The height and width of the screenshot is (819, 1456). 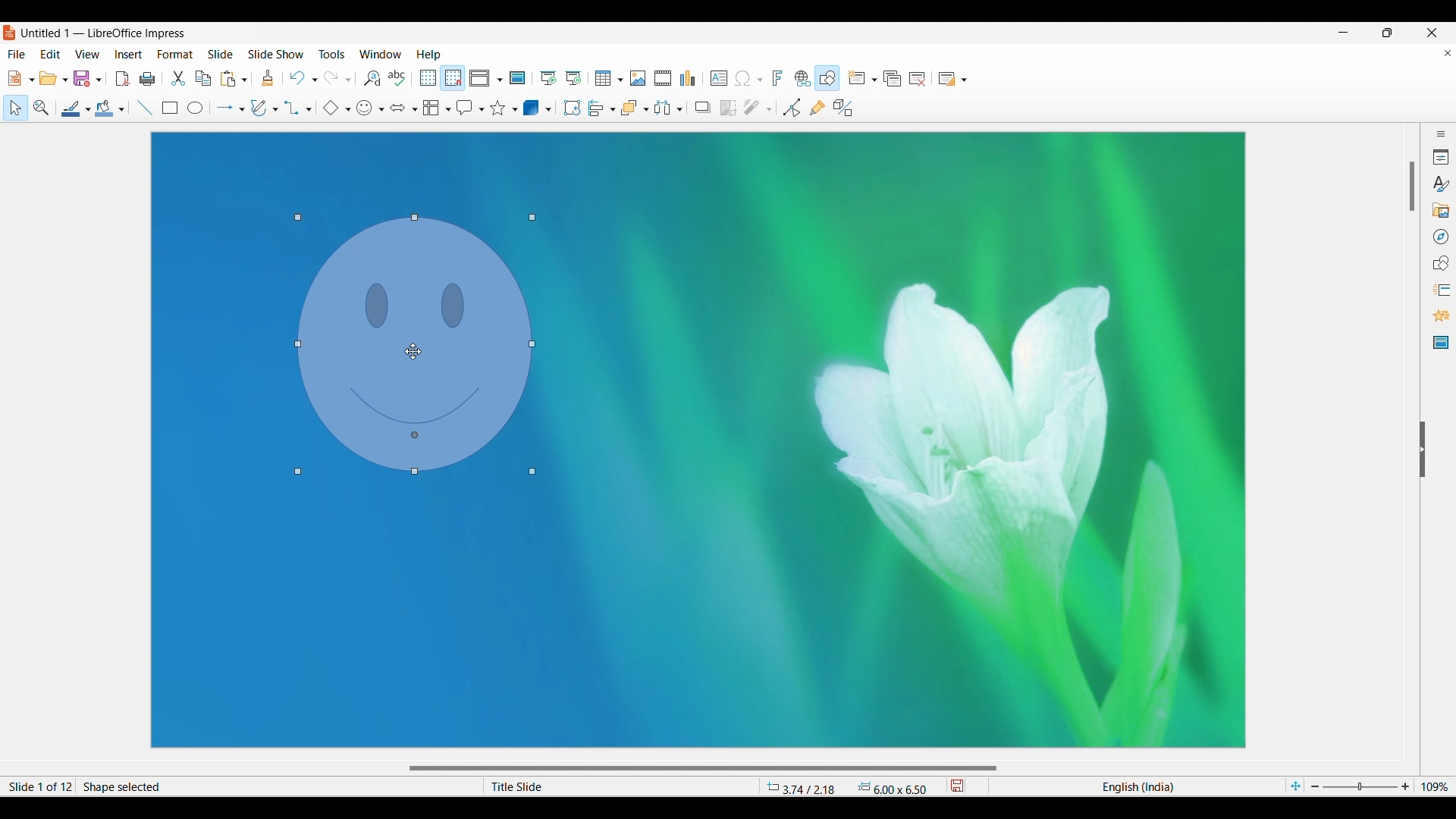 I want to click on Spell check, so click(x=397, y=78).